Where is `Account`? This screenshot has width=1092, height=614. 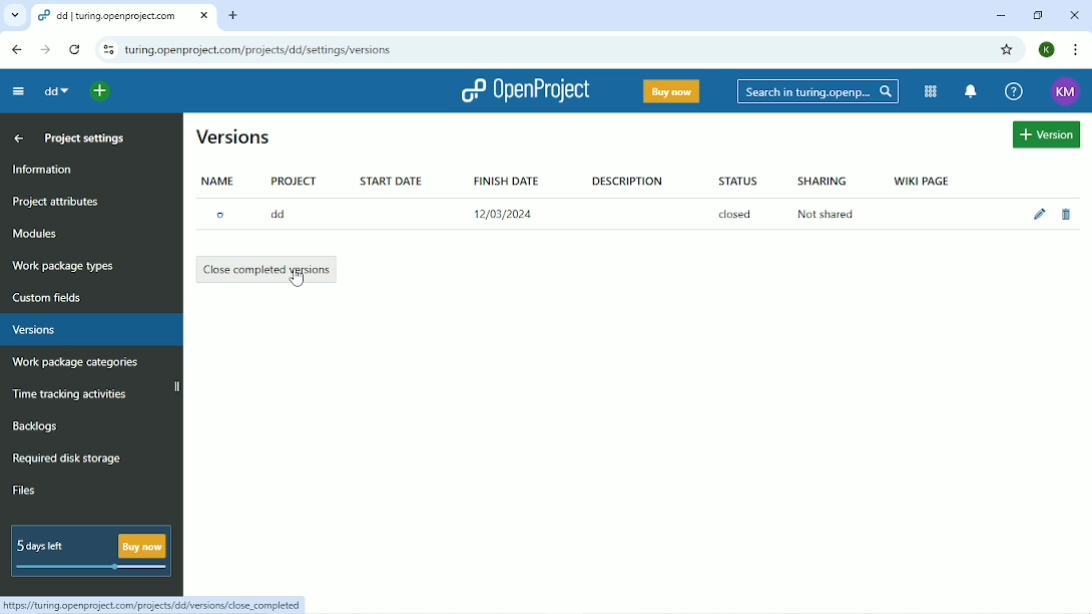 Account is located at coordinates (1049, 49).